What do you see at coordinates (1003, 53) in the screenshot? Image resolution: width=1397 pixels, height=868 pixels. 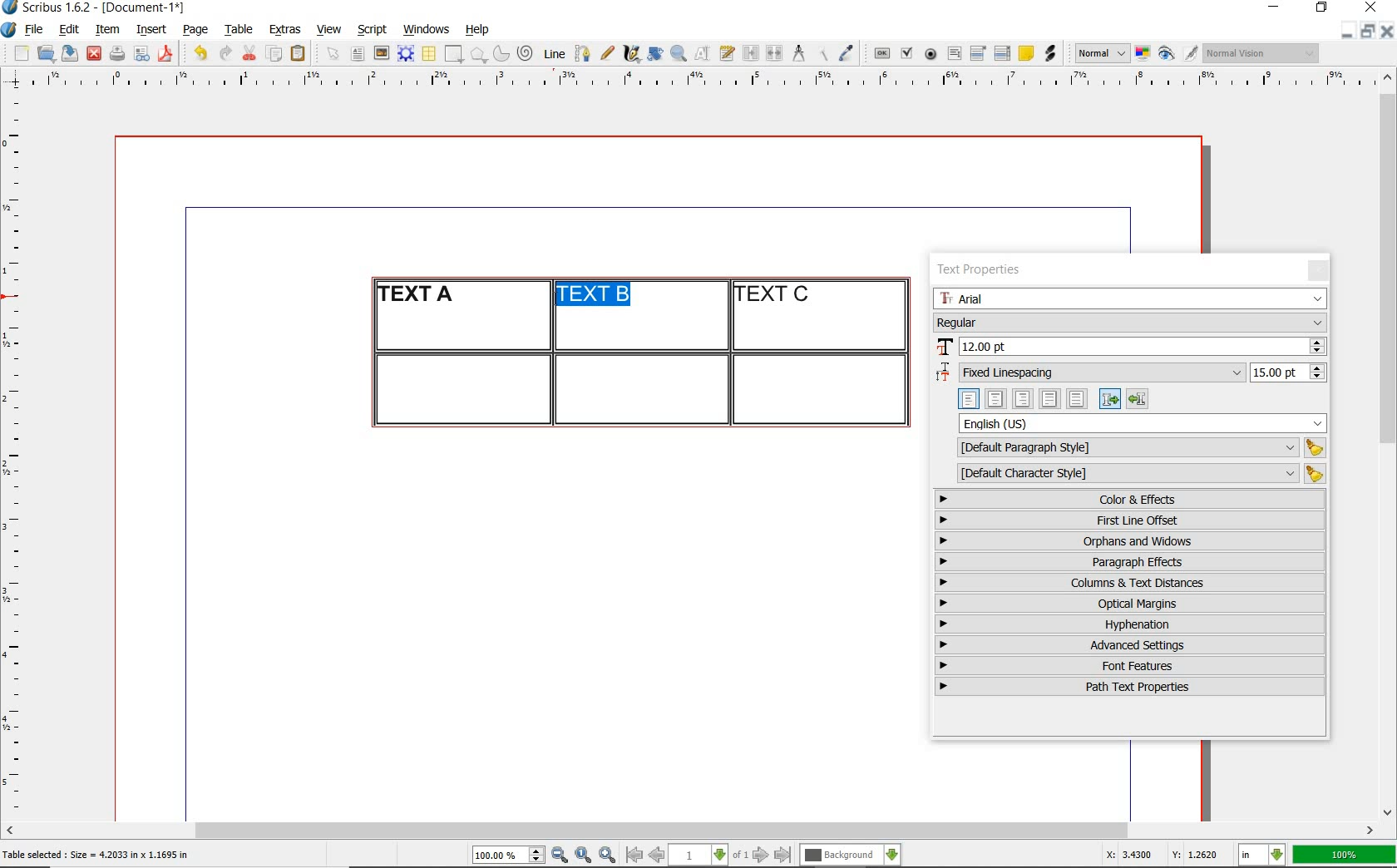 I see `pdf list box` at bounding box center [1003, 53].